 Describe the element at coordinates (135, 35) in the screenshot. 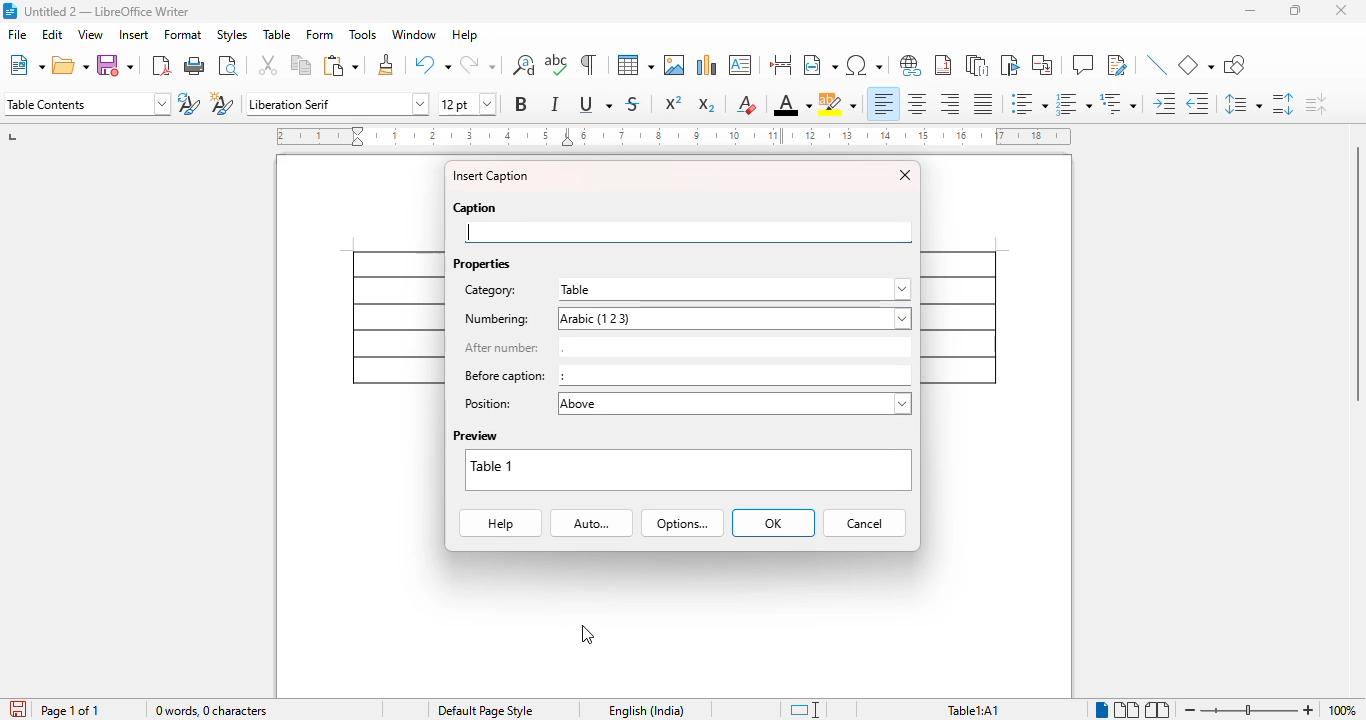

I see `insert` at that location.